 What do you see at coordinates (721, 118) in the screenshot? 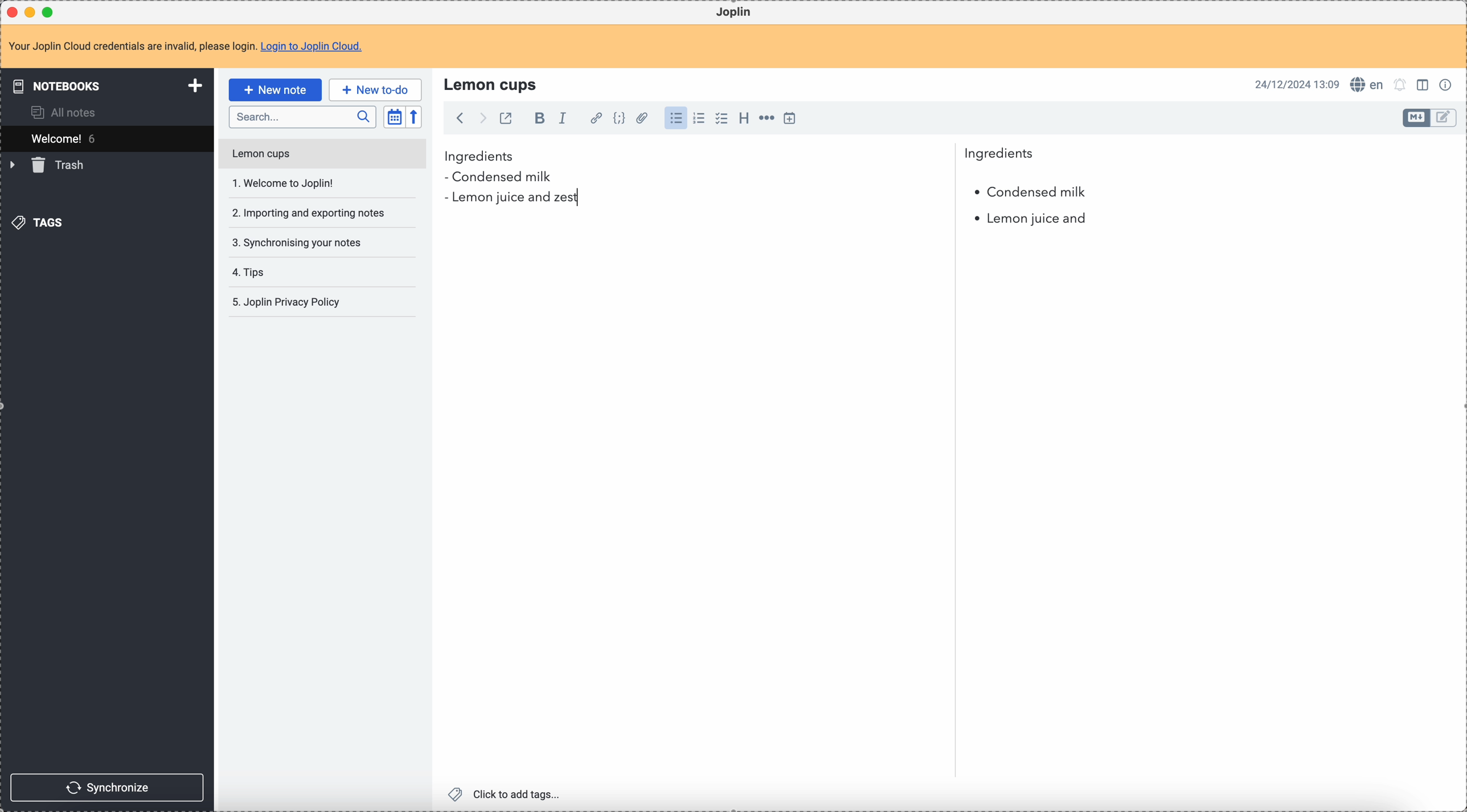
I see `check list` at bounding box center [721, 118].